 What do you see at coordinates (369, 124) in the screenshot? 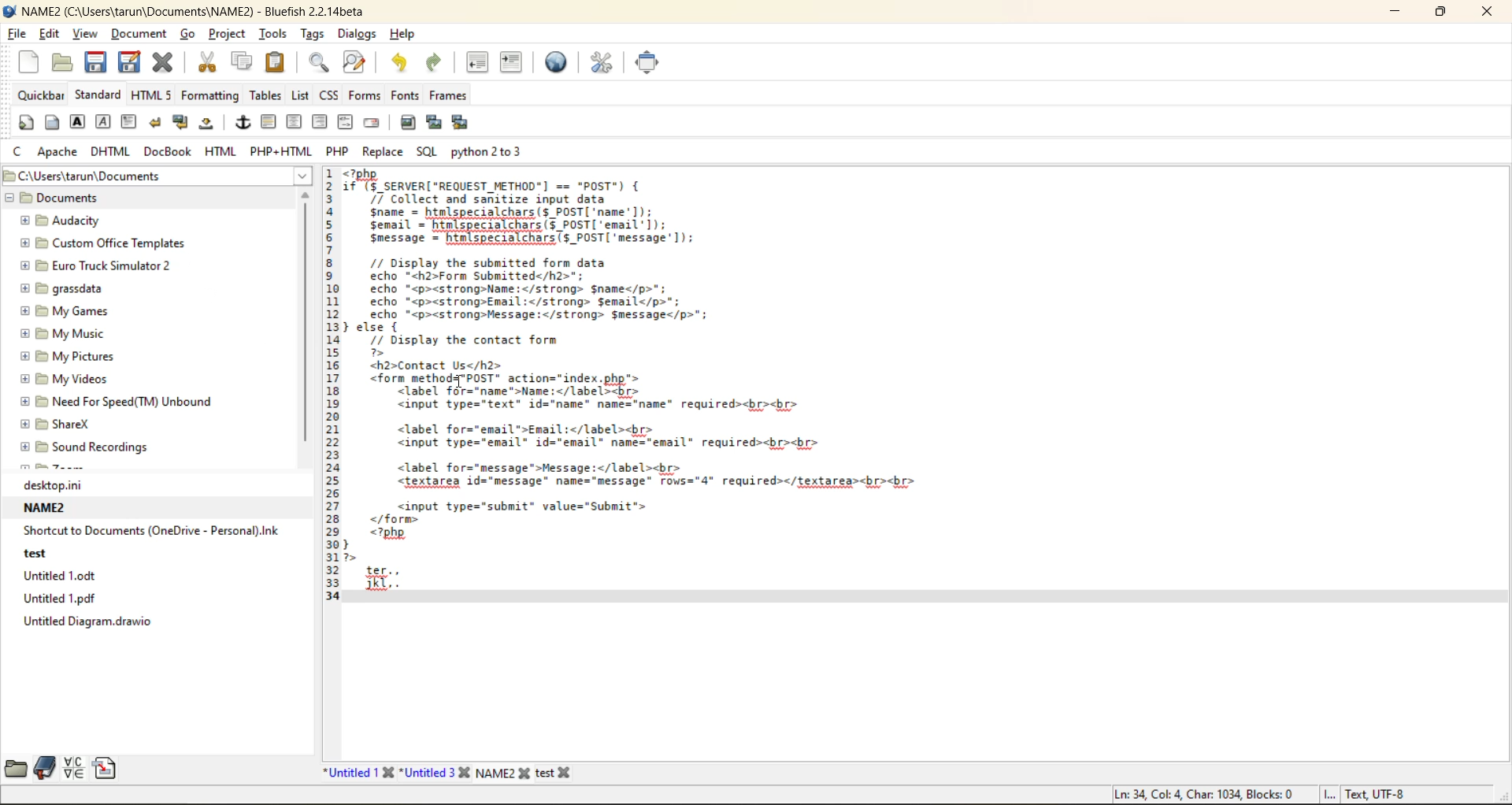
I see `email` at bounding box center [369, 124].